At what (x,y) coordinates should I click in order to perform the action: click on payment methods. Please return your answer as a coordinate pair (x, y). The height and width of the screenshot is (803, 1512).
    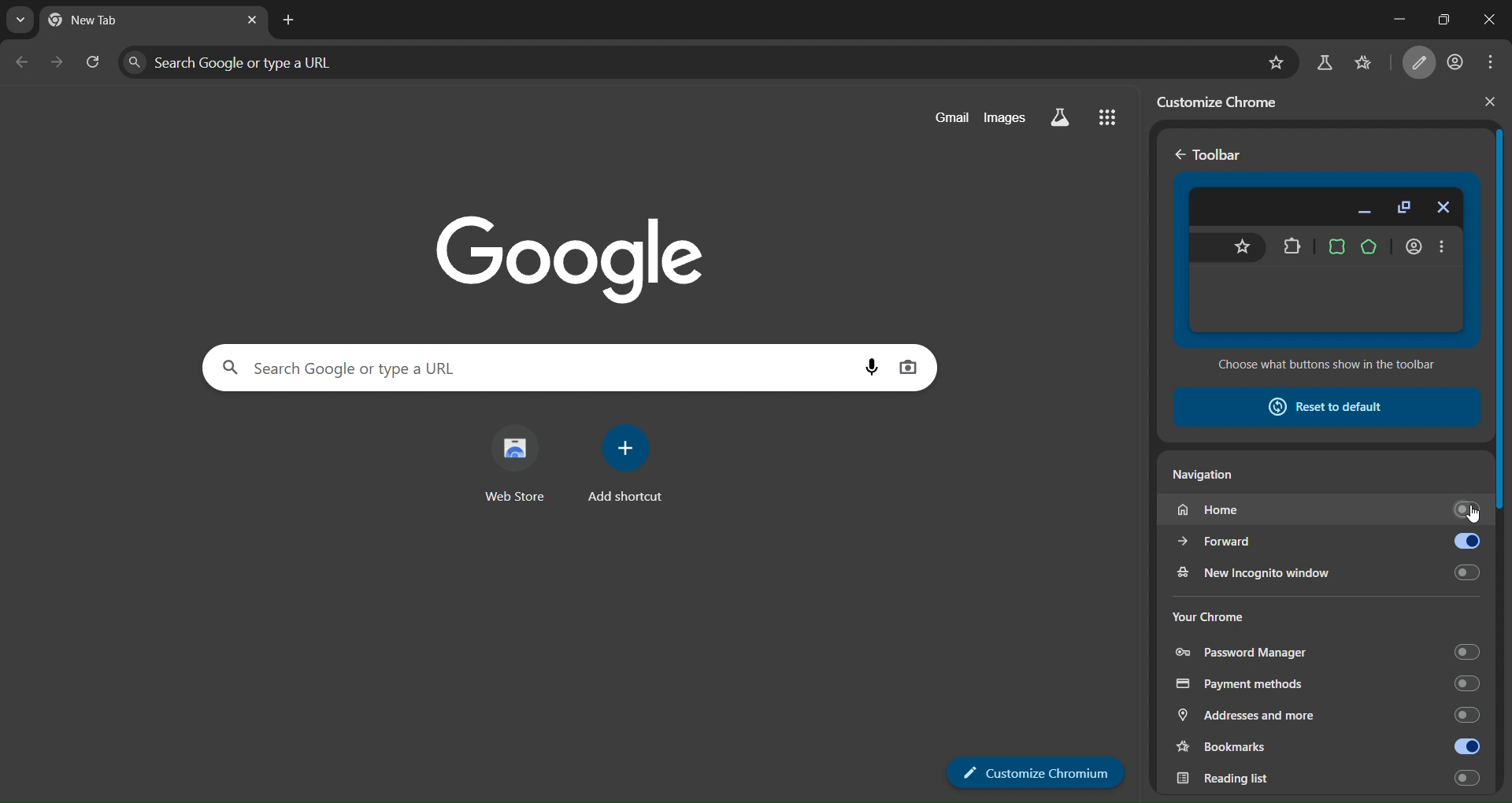
    Looking at the image, I should click on (1325, 682).